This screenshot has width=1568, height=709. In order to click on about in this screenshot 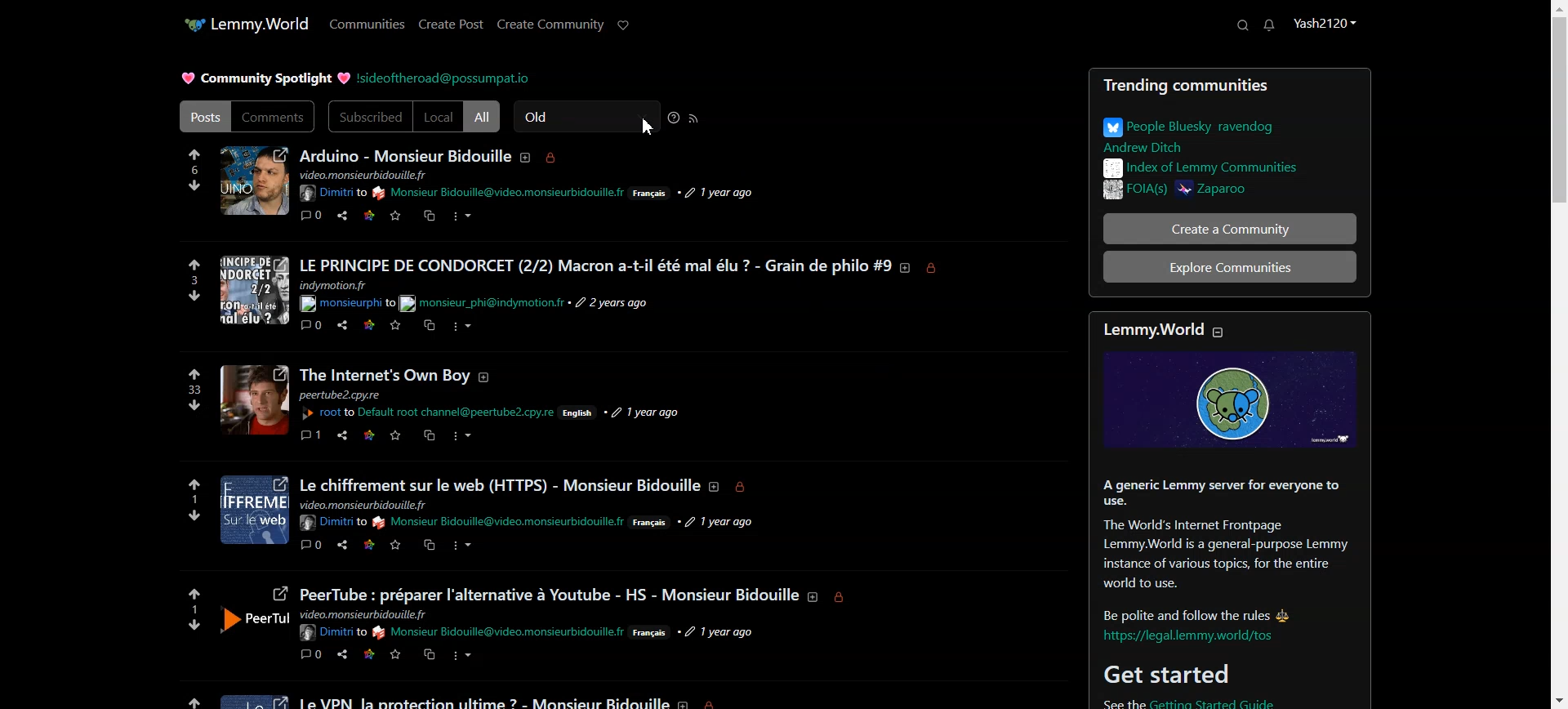, I will do `click(813, 598)`.